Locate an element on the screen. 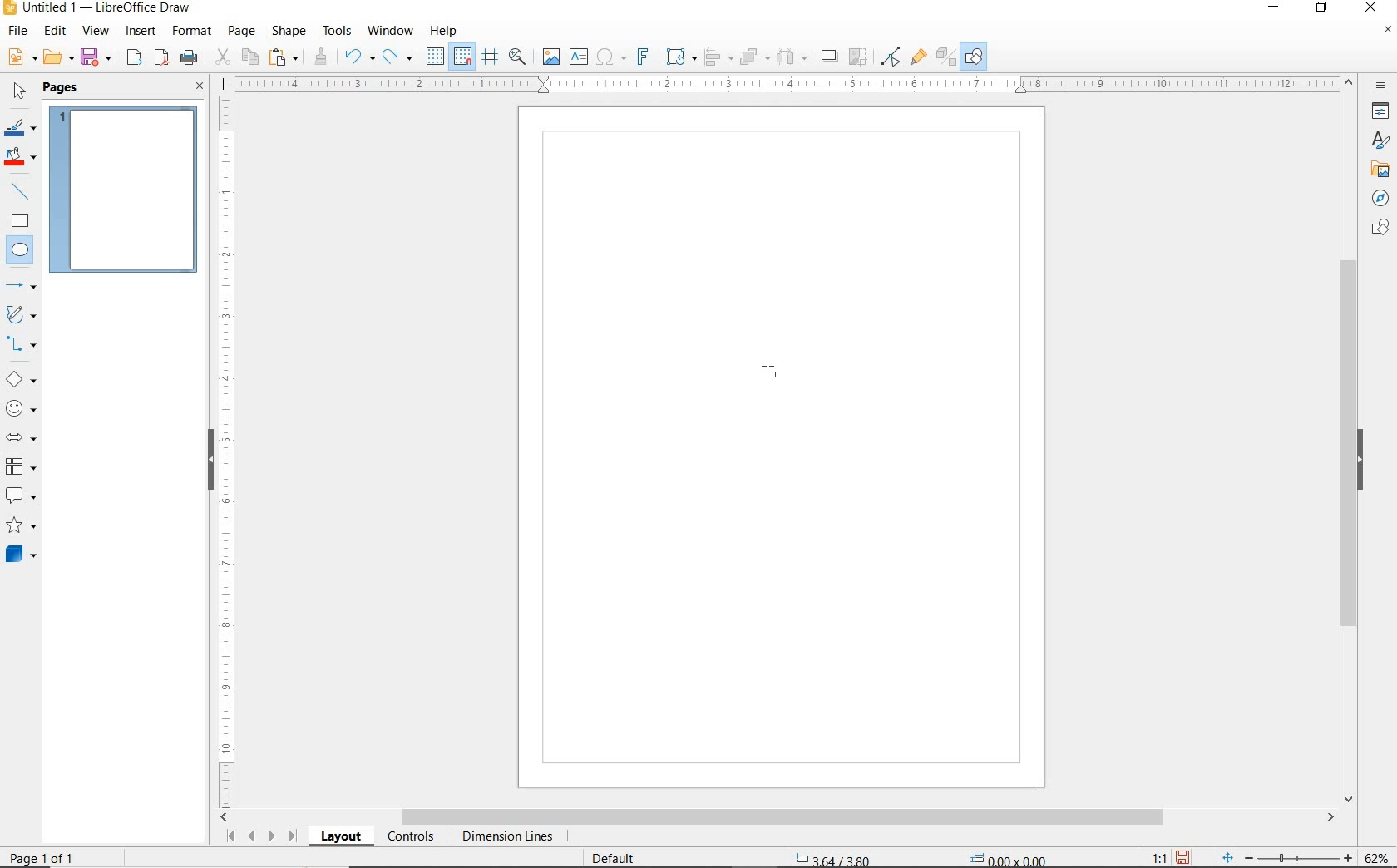  DISPLAY GRID is located at coordinates (437, 57).